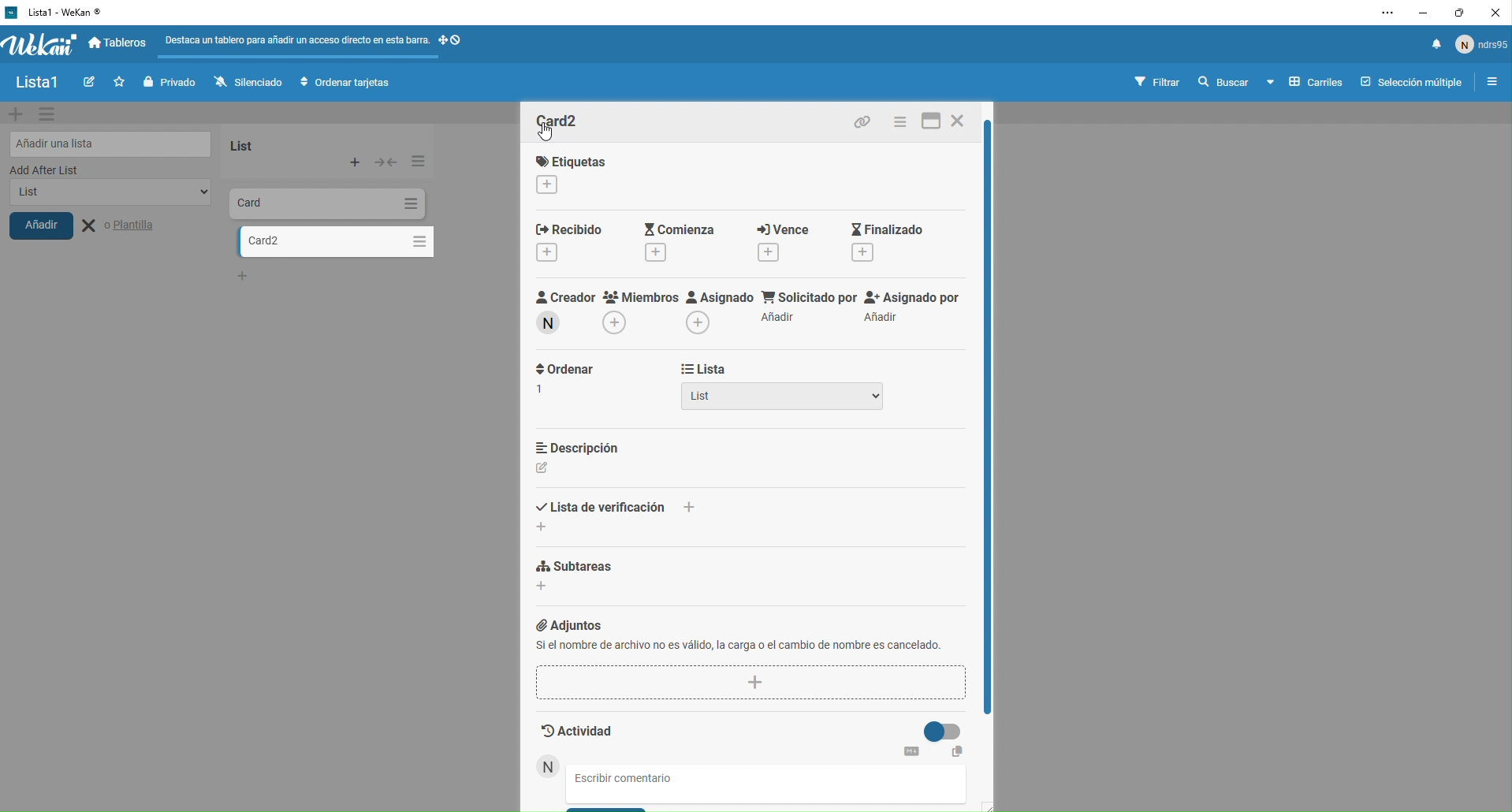  What do you see at coordinates (896, 241) in the screenshot?
I see `Finalizado` at bounding box center [896, 241].